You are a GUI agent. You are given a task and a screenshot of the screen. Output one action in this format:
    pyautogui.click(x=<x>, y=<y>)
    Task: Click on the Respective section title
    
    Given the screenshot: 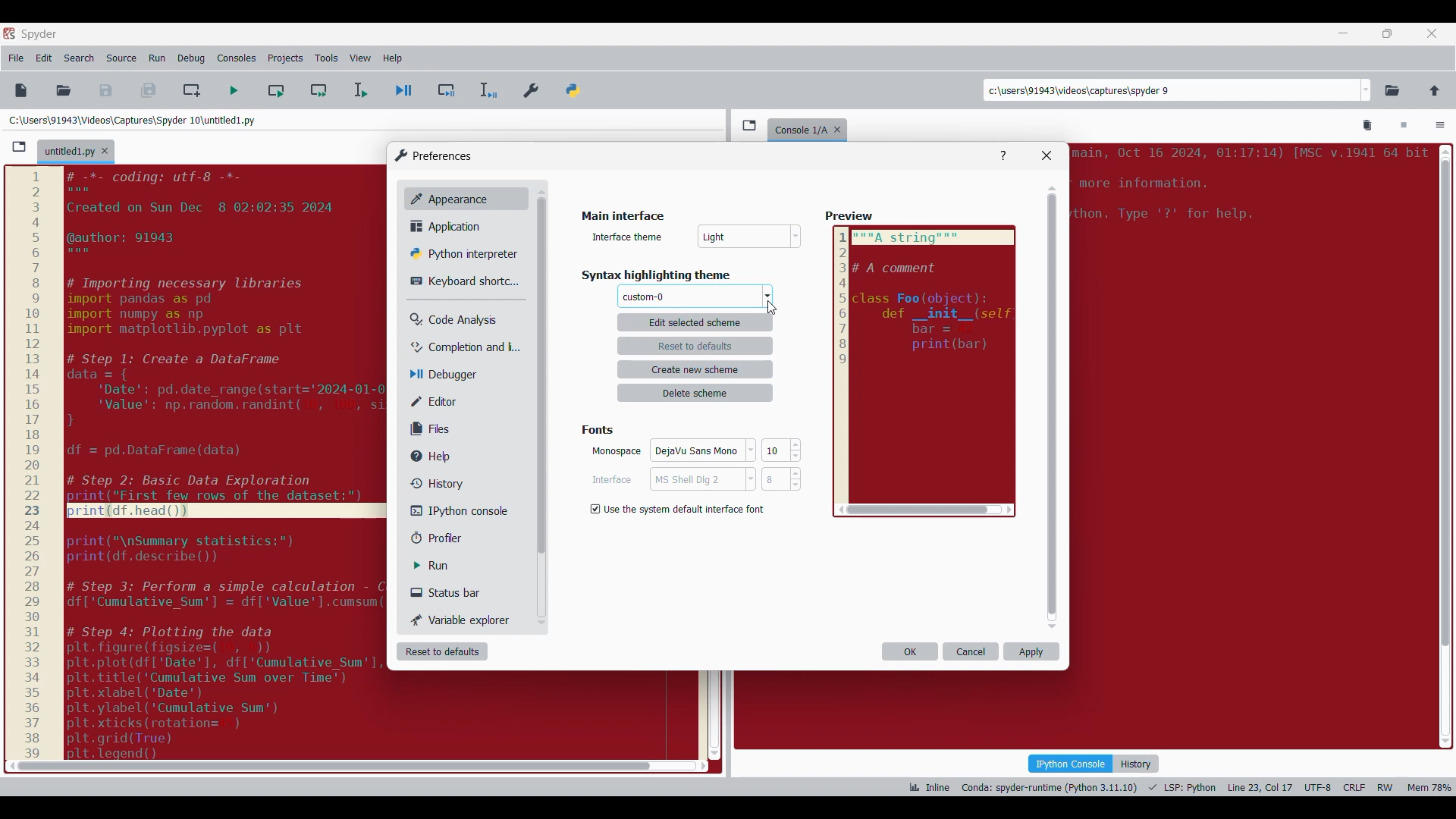 What is the action you would take?
    pyautogui.click(x=698, y=275)
    